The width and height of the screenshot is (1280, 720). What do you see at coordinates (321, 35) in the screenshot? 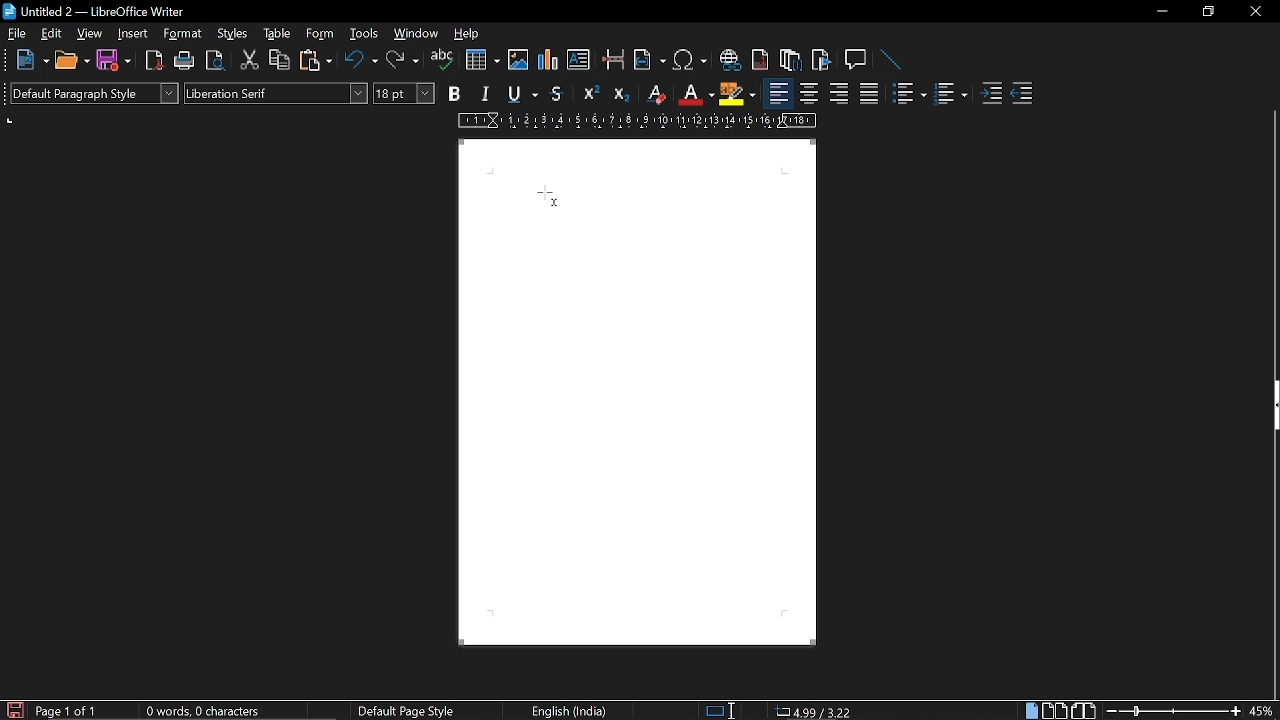
I see `form` at bounding box center [321, 35].